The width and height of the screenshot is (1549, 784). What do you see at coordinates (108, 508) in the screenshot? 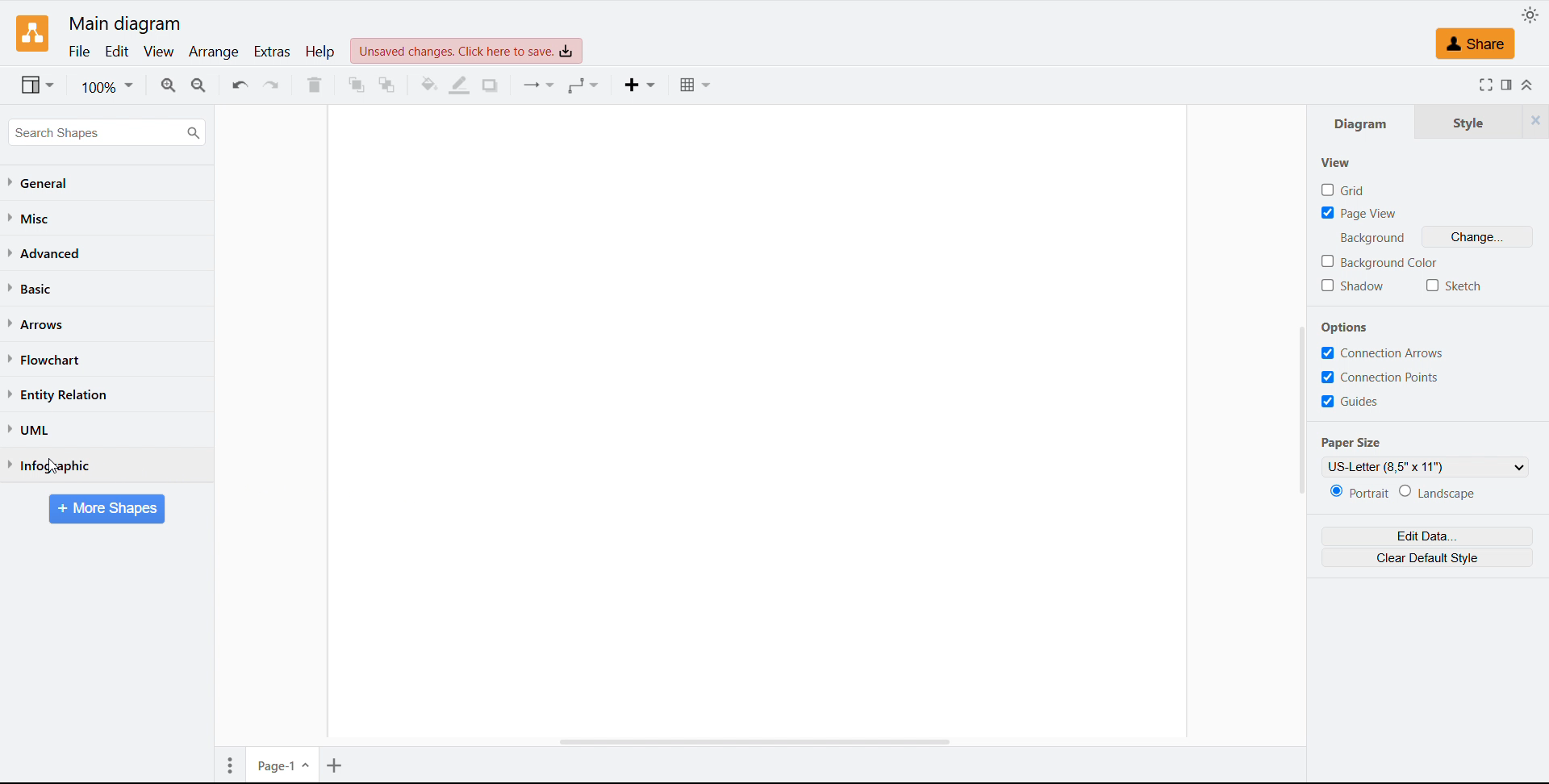
I see `More shapes ` at bounding box center [108, 508].